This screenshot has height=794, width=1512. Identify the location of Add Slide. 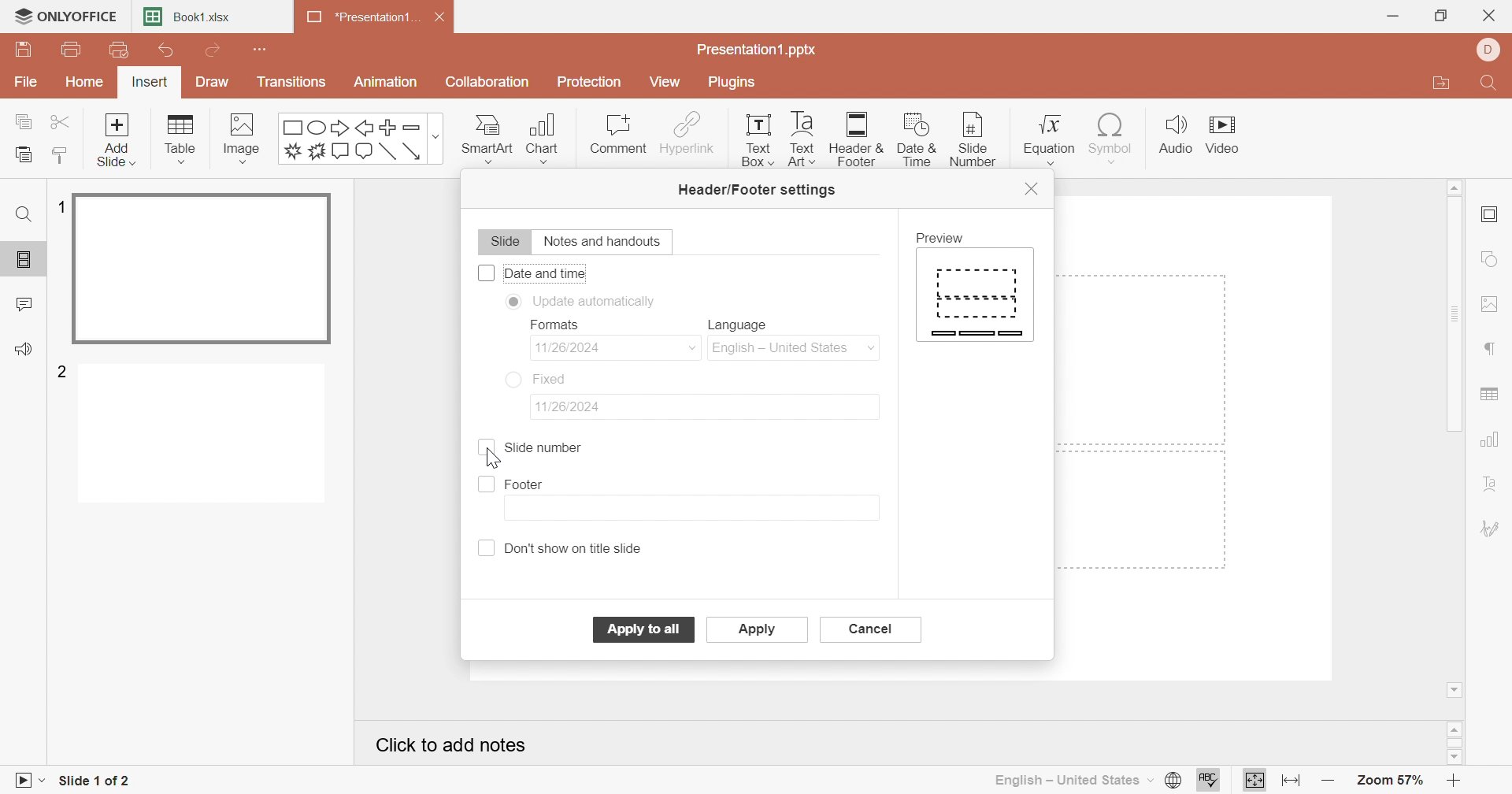
(117, 139).